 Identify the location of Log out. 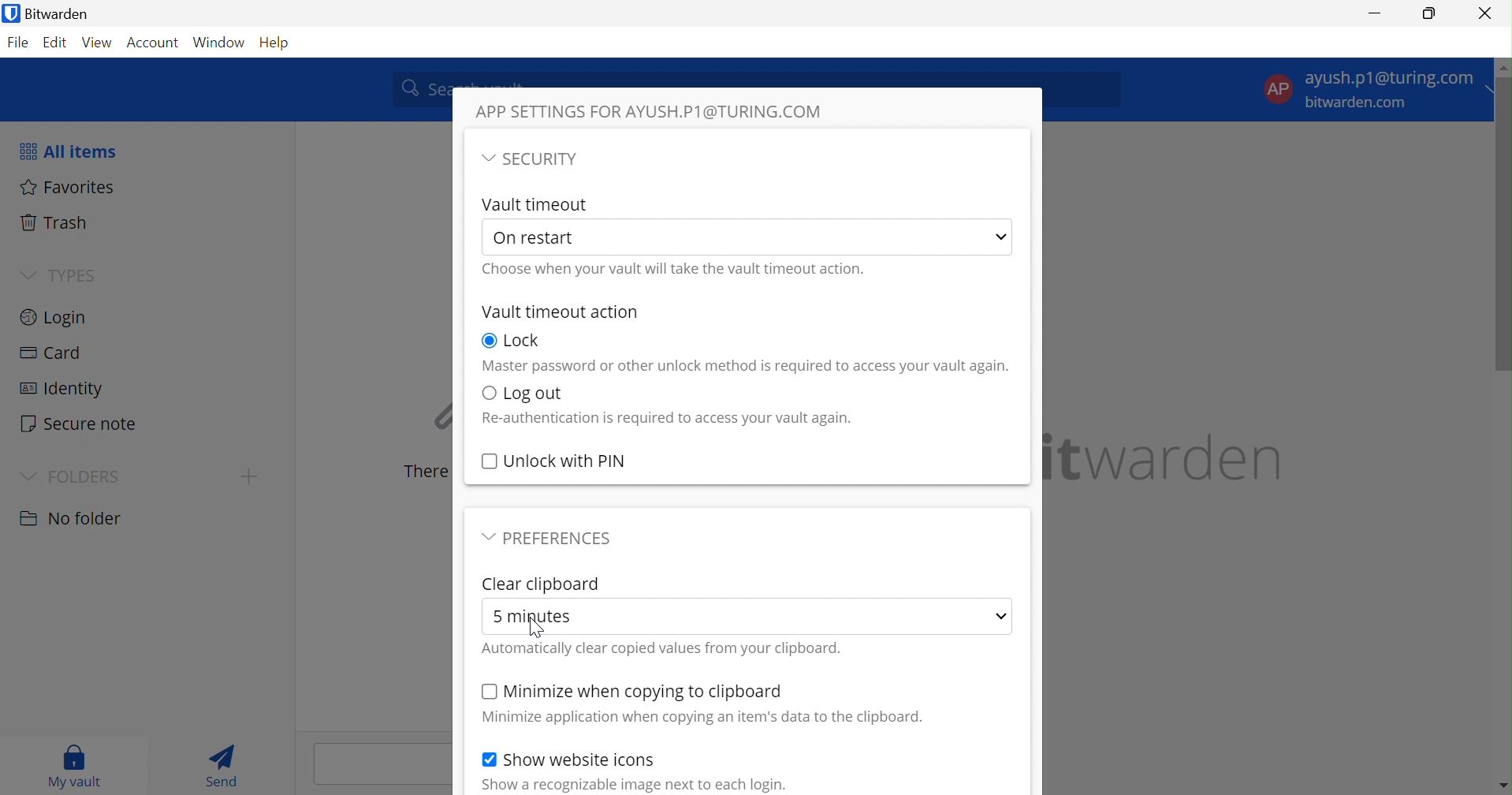
(537, 393).